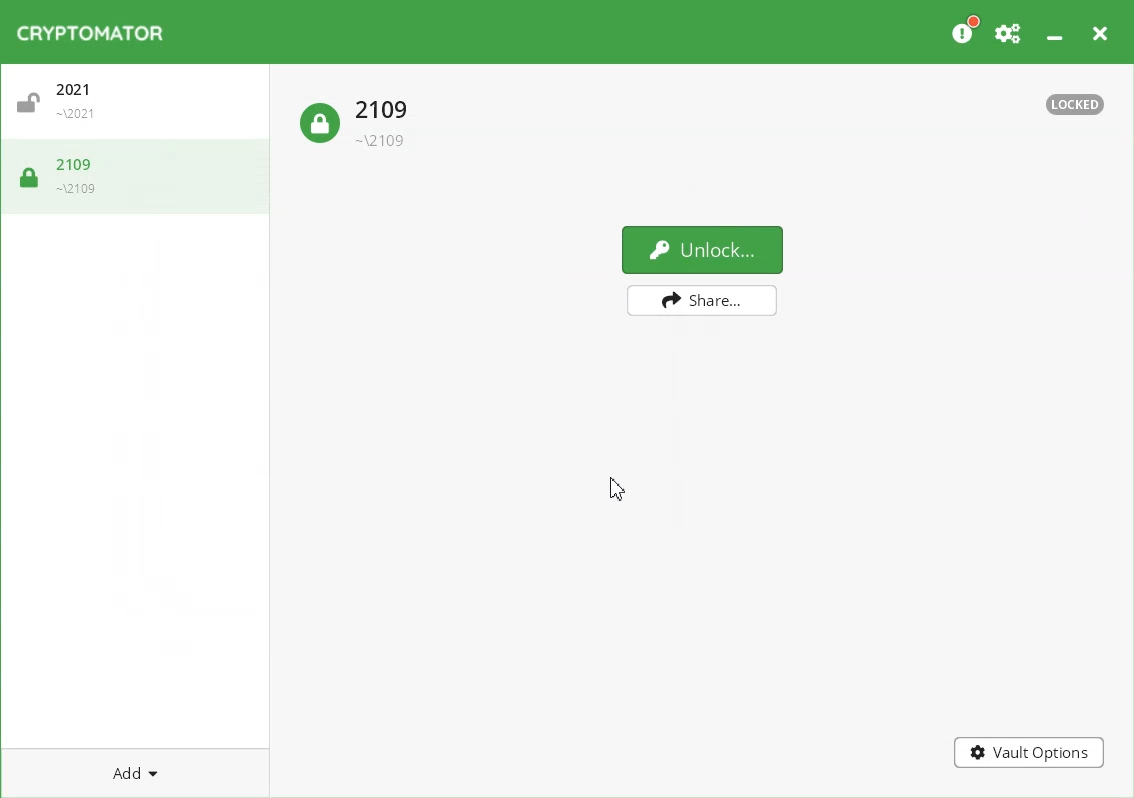  Describe the element at coordinates (1057, 32) in the screenshot. I see `Minimize` at that location.